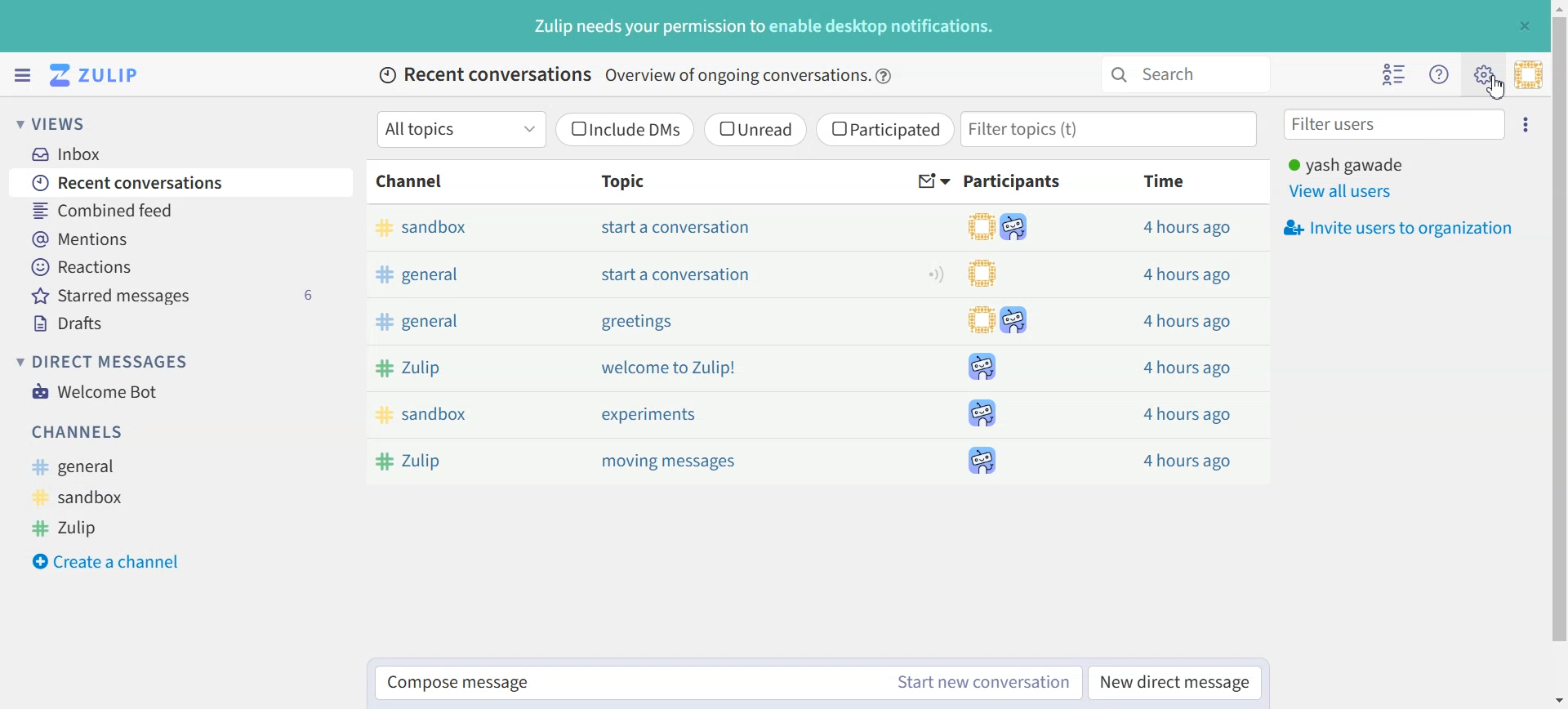 The image size is (1568, 709). I want to click on Text, so click(765, 26).